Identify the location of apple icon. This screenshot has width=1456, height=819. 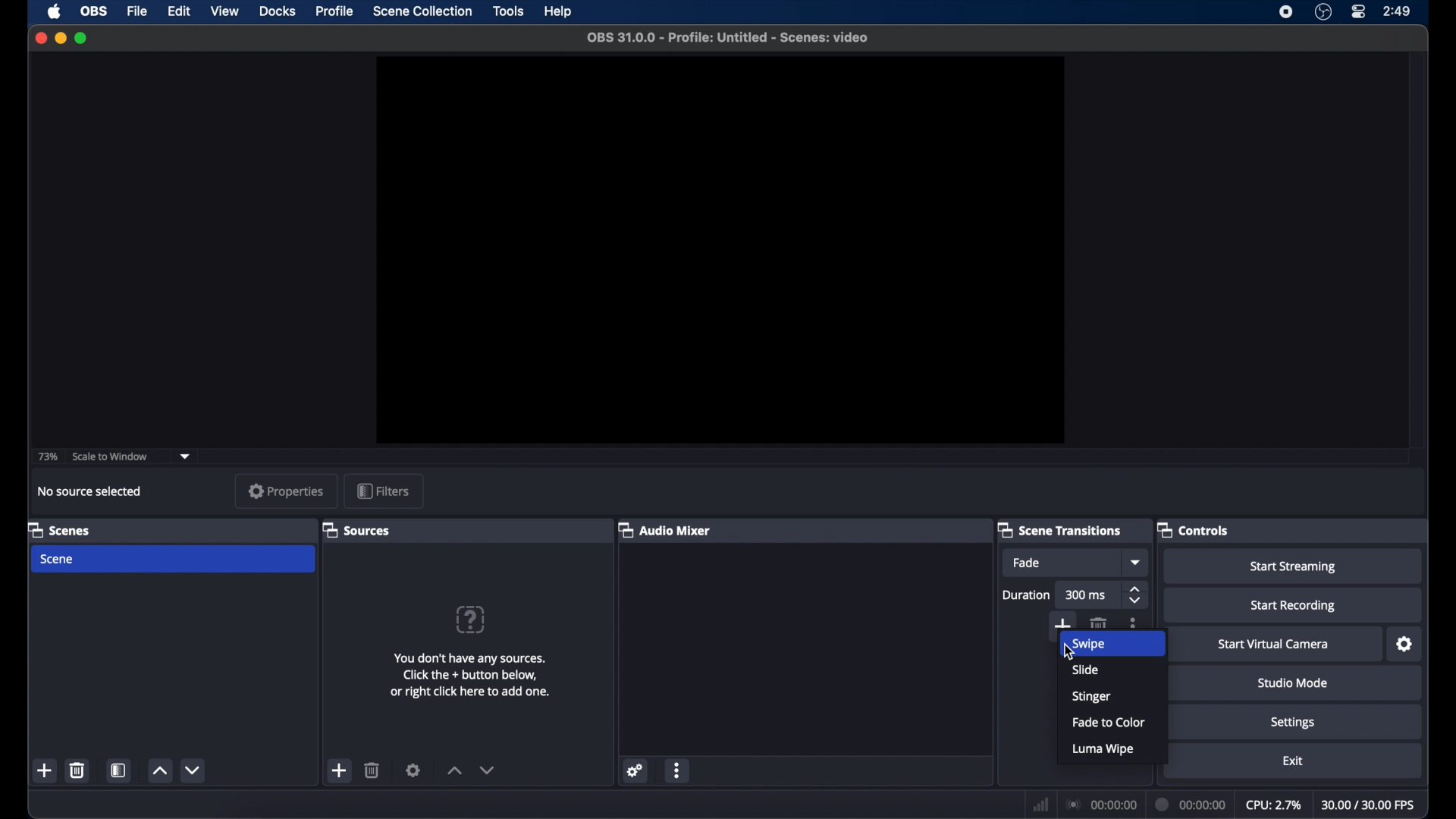
(54, 12).